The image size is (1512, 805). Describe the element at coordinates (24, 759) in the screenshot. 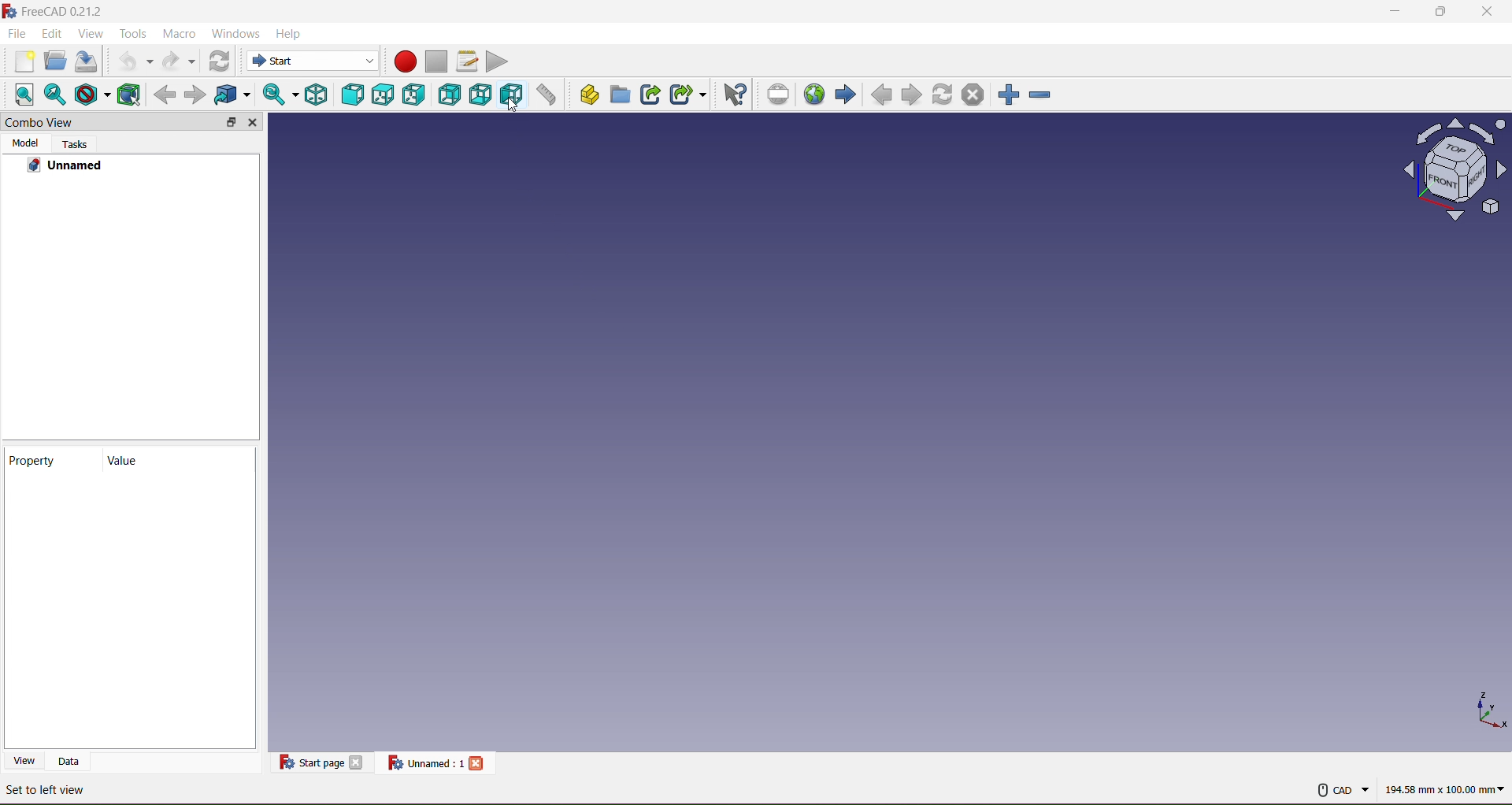

I see `View` at that location.